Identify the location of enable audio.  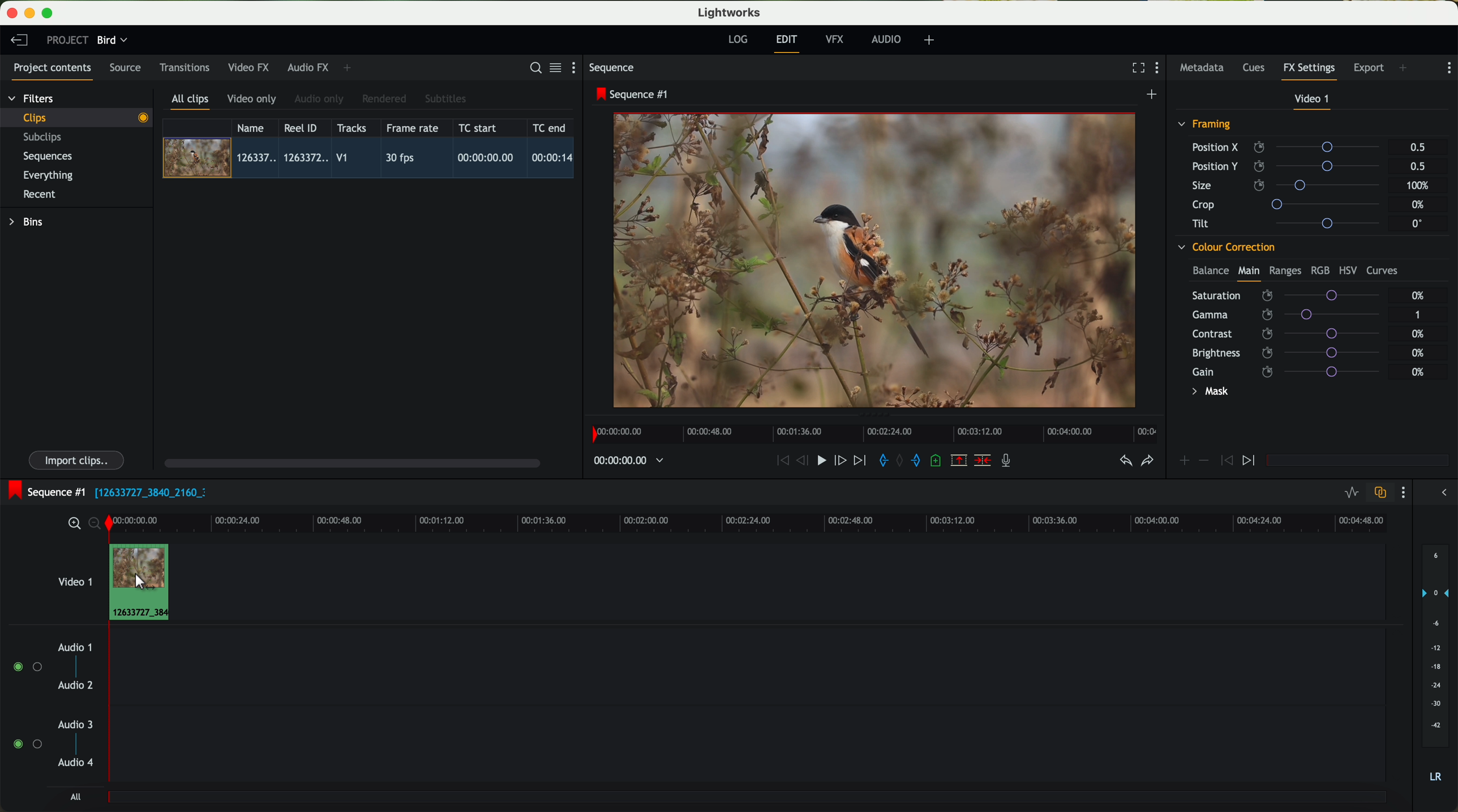
(27, 744).